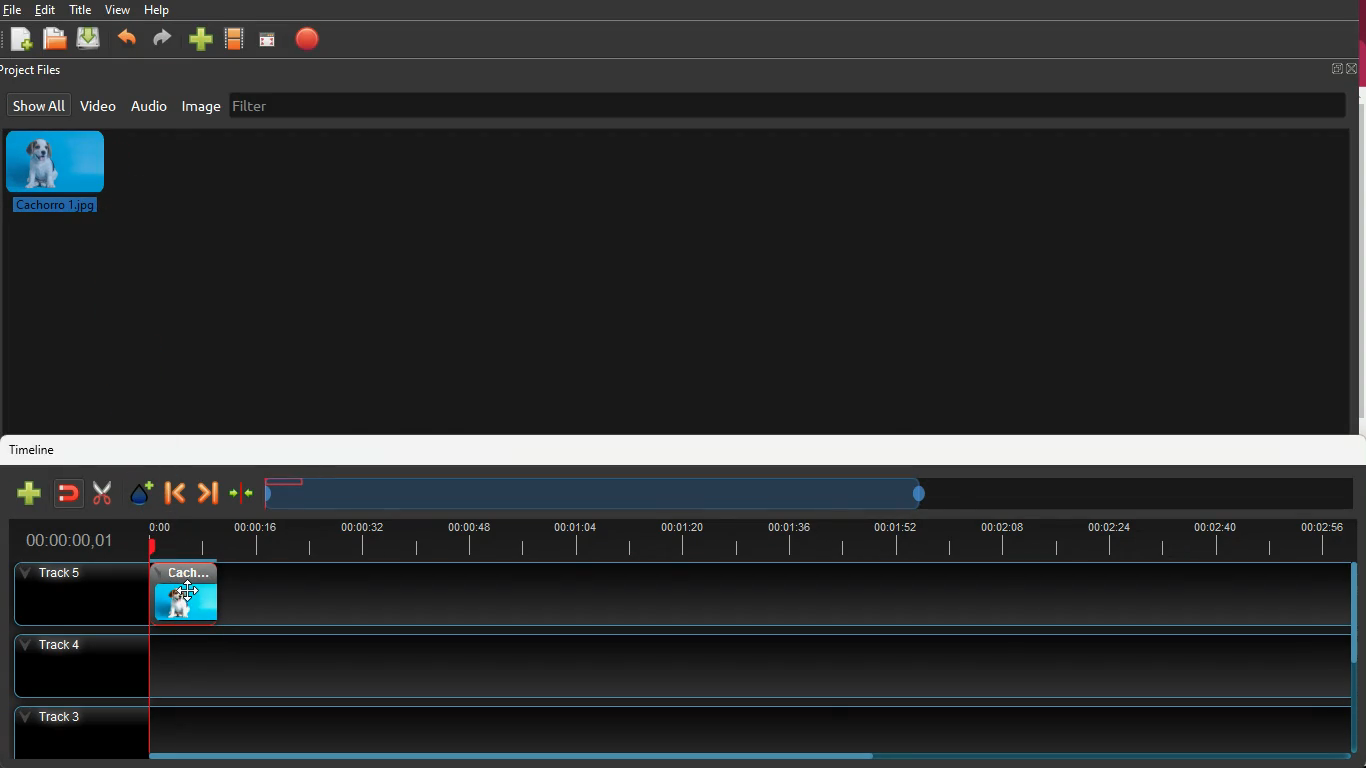 The image size is (1366, 768). Describe the element at coordinates (67, 176) in the screenshot. I see `image` at that location.